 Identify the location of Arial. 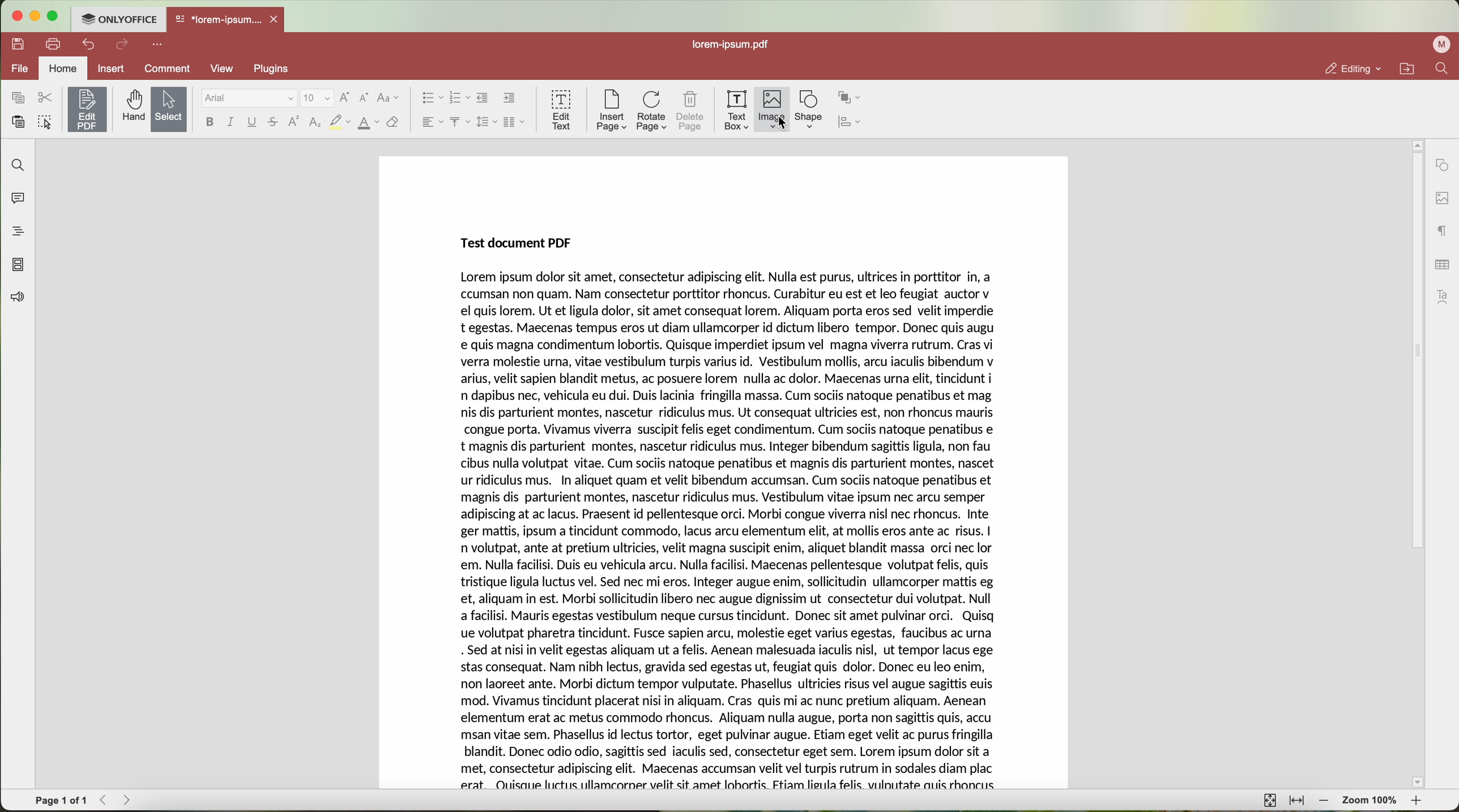
(248, 99).